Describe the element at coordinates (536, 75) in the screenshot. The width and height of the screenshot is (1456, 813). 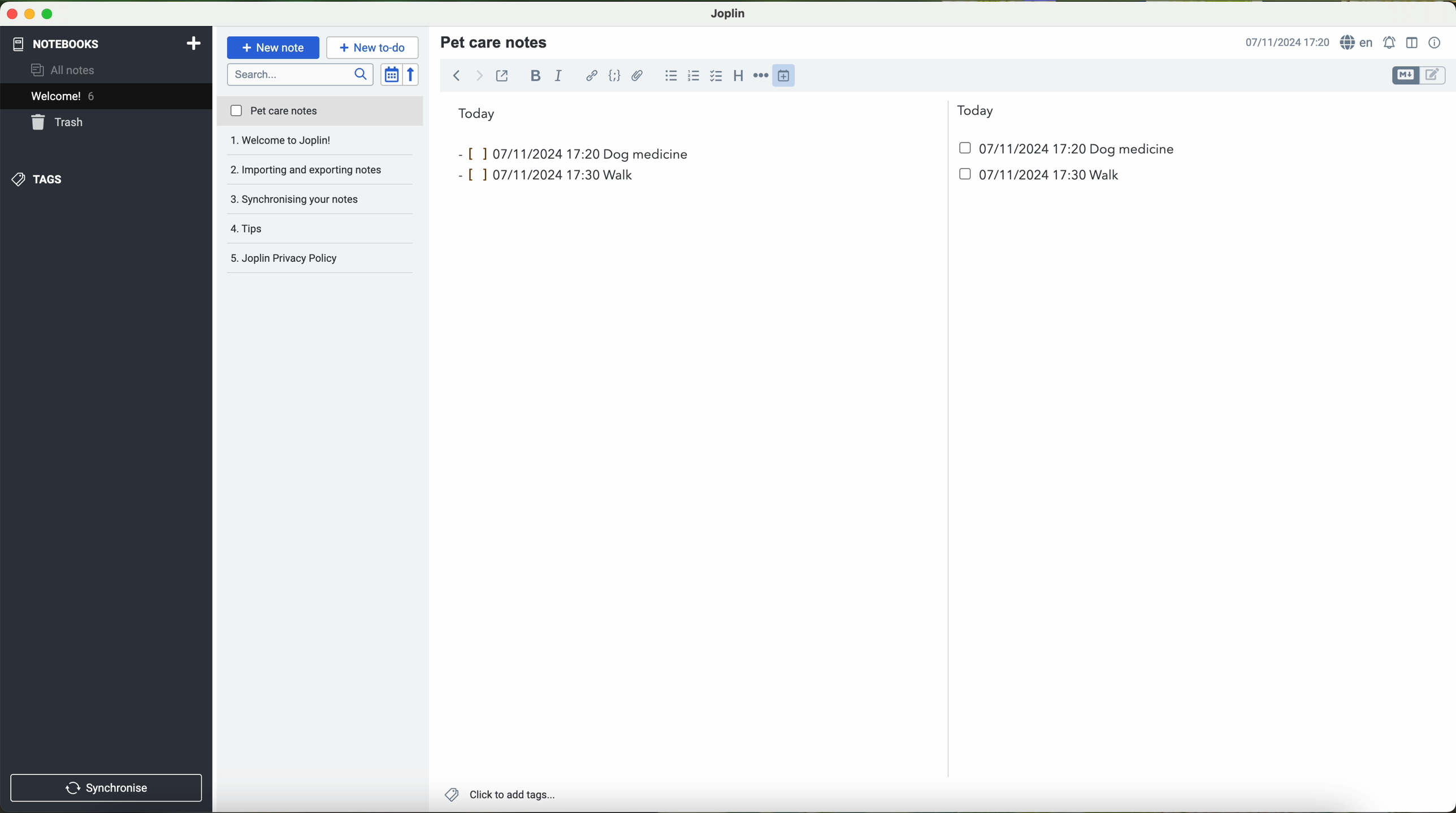
I see `bold` at that location.